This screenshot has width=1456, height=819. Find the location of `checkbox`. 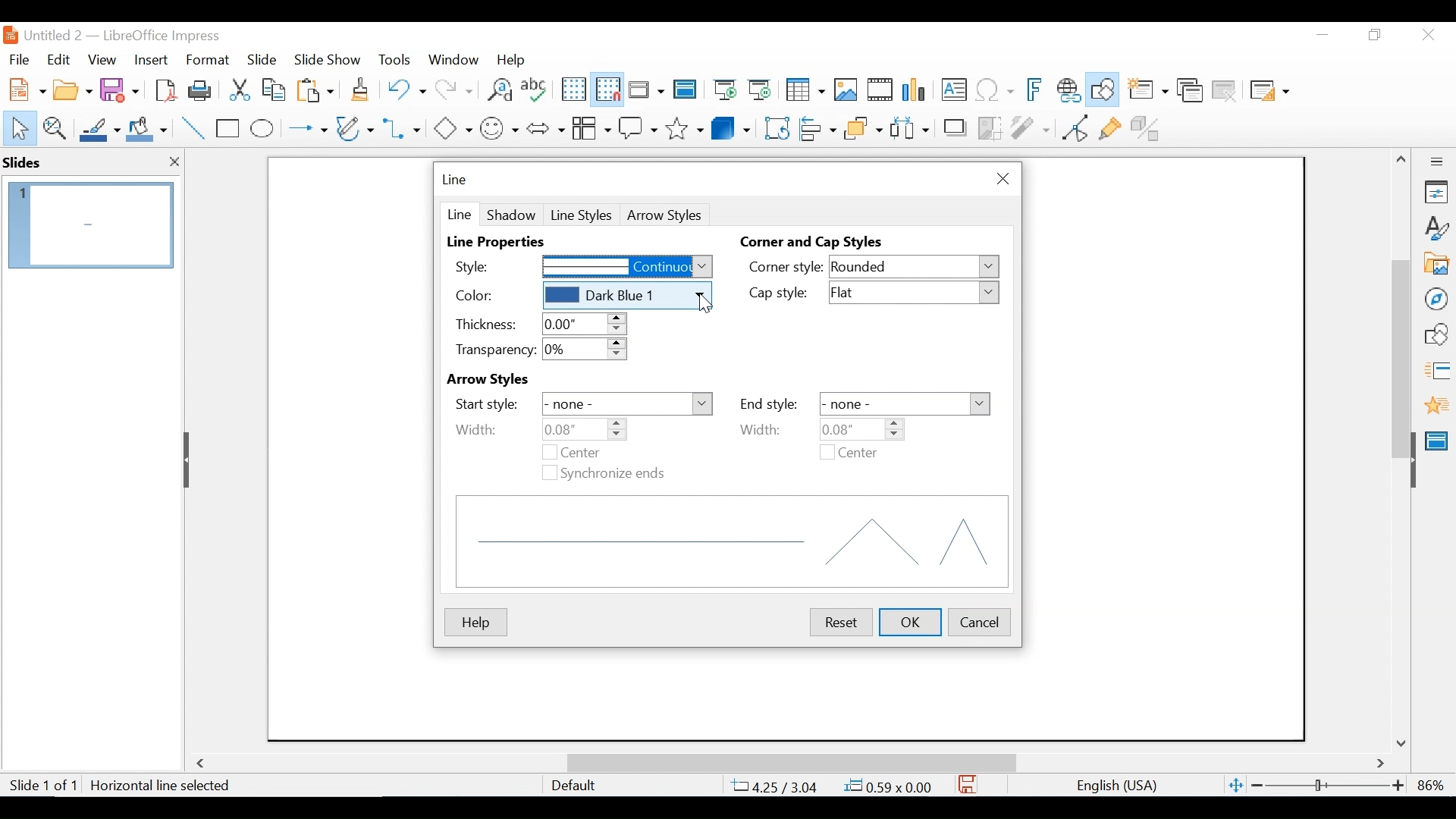

checkbox is located at coordinates (548, 453).